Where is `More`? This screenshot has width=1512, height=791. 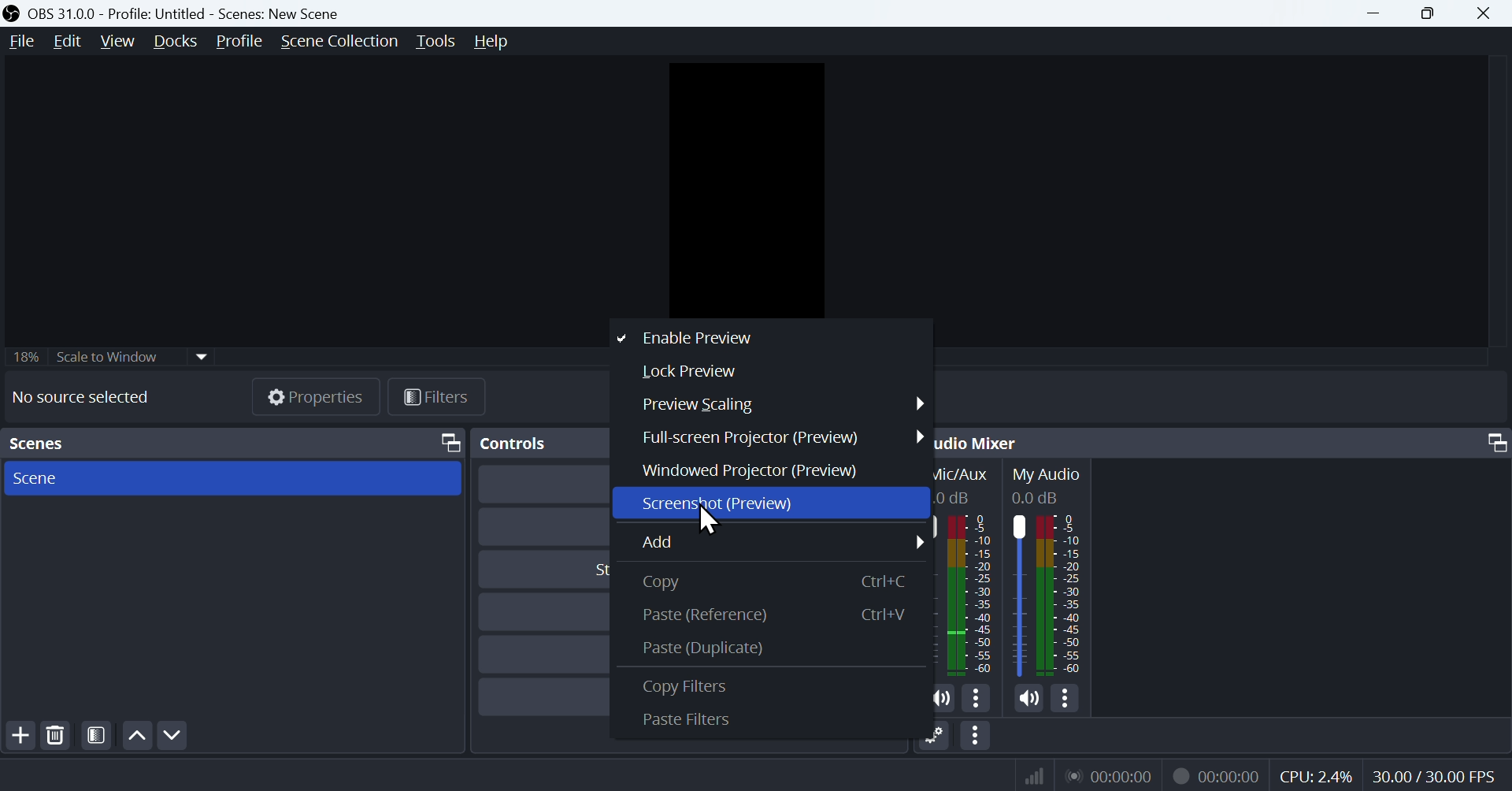
More is located at coordinates (977, 696).